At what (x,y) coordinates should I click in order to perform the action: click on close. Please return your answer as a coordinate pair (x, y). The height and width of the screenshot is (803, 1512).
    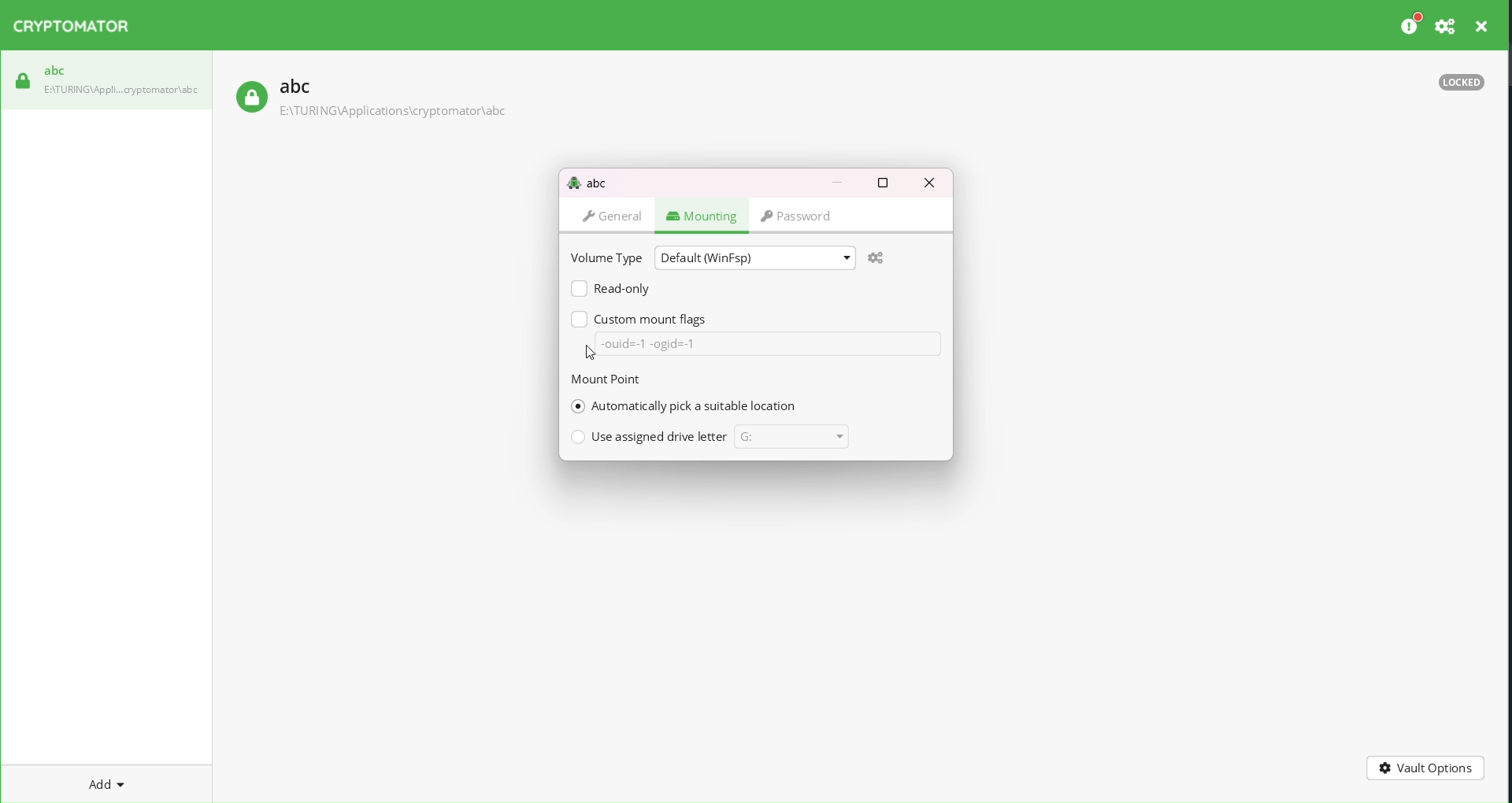
    Looking at the image, I should click on (1483, 26).